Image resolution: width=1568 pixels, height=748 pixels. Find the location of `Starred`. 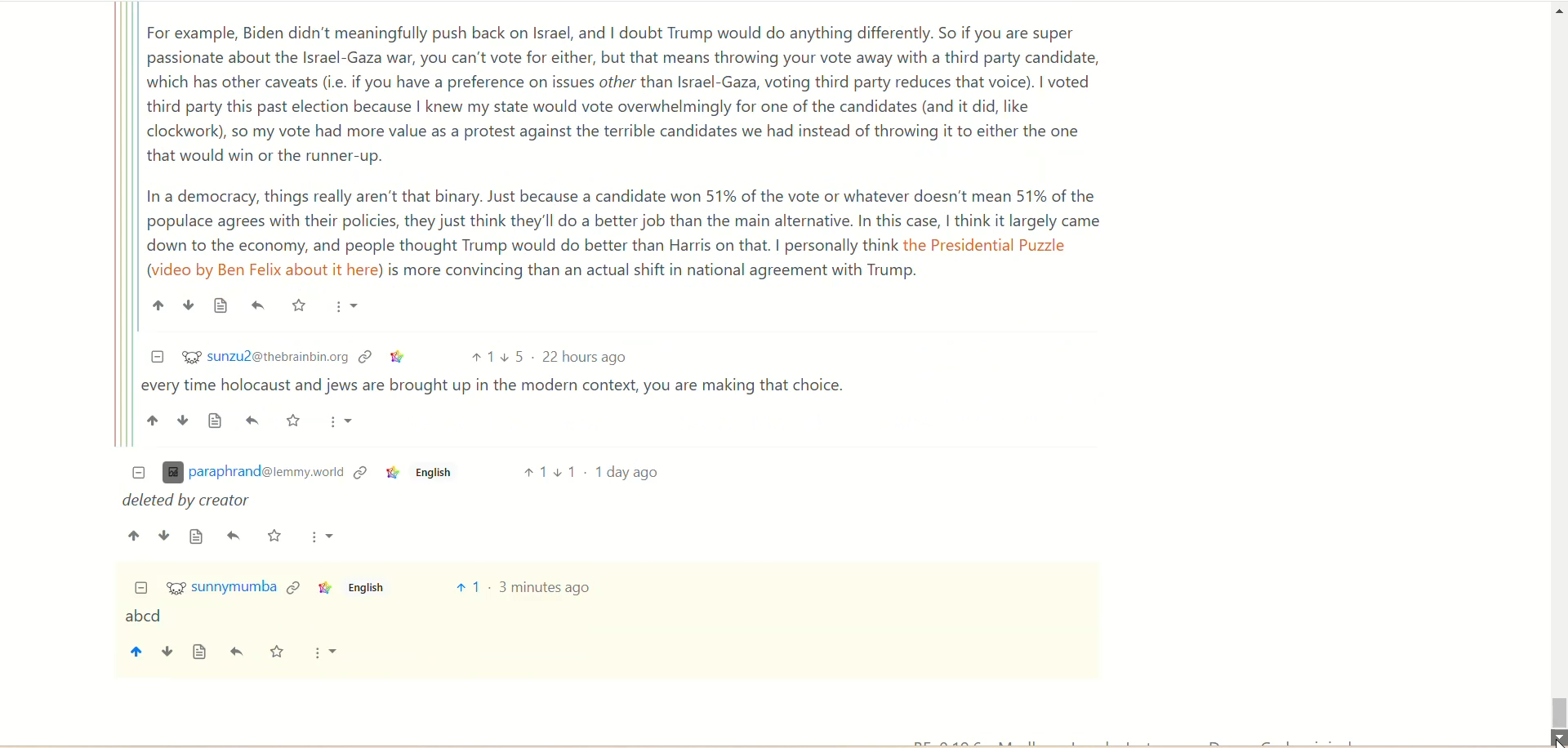

Starred is located at coordinates (300, 306).